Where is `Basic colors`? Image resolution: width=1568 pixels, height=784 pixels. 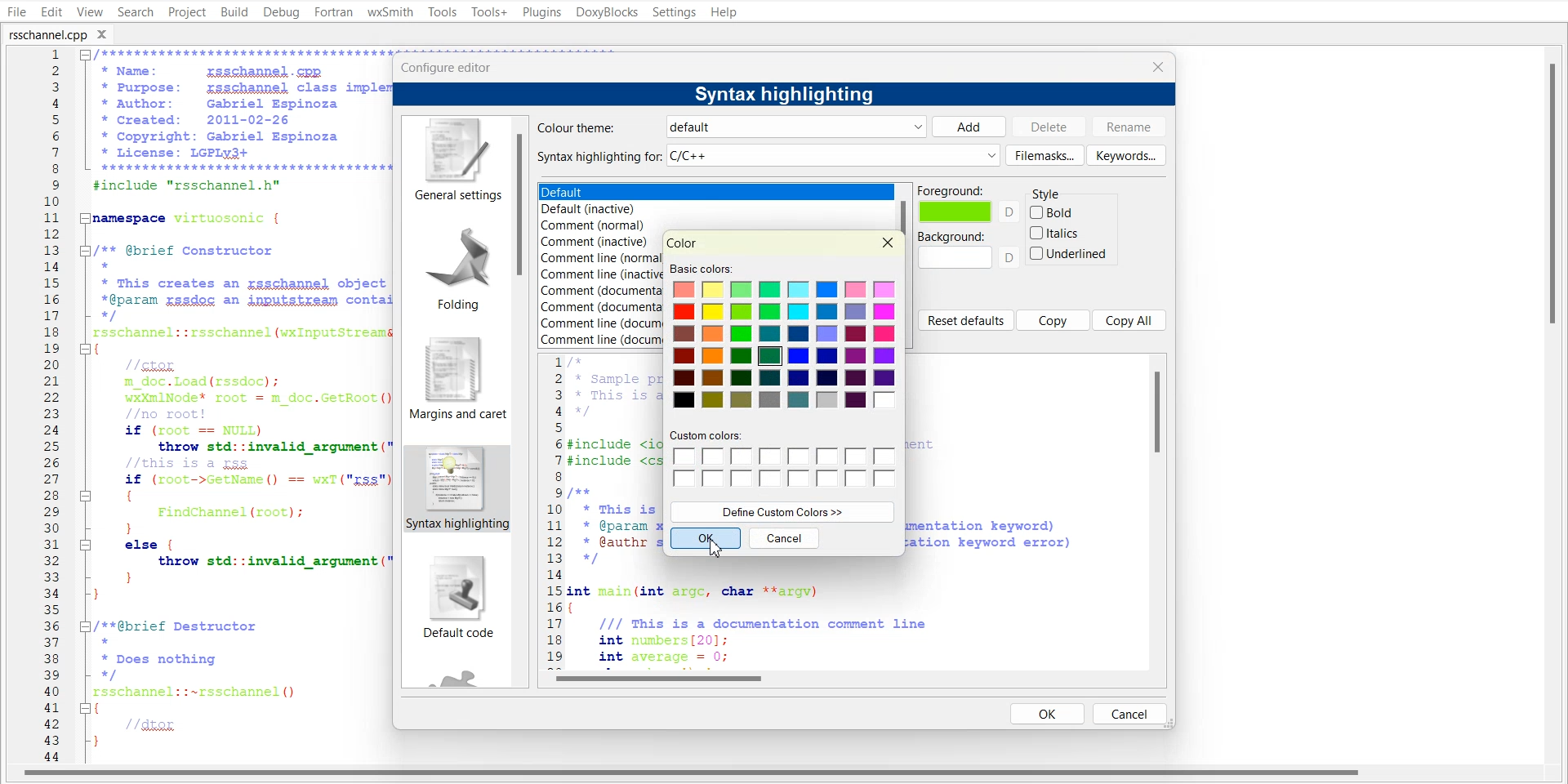 Basic colors is located at coordinates (699, 268).